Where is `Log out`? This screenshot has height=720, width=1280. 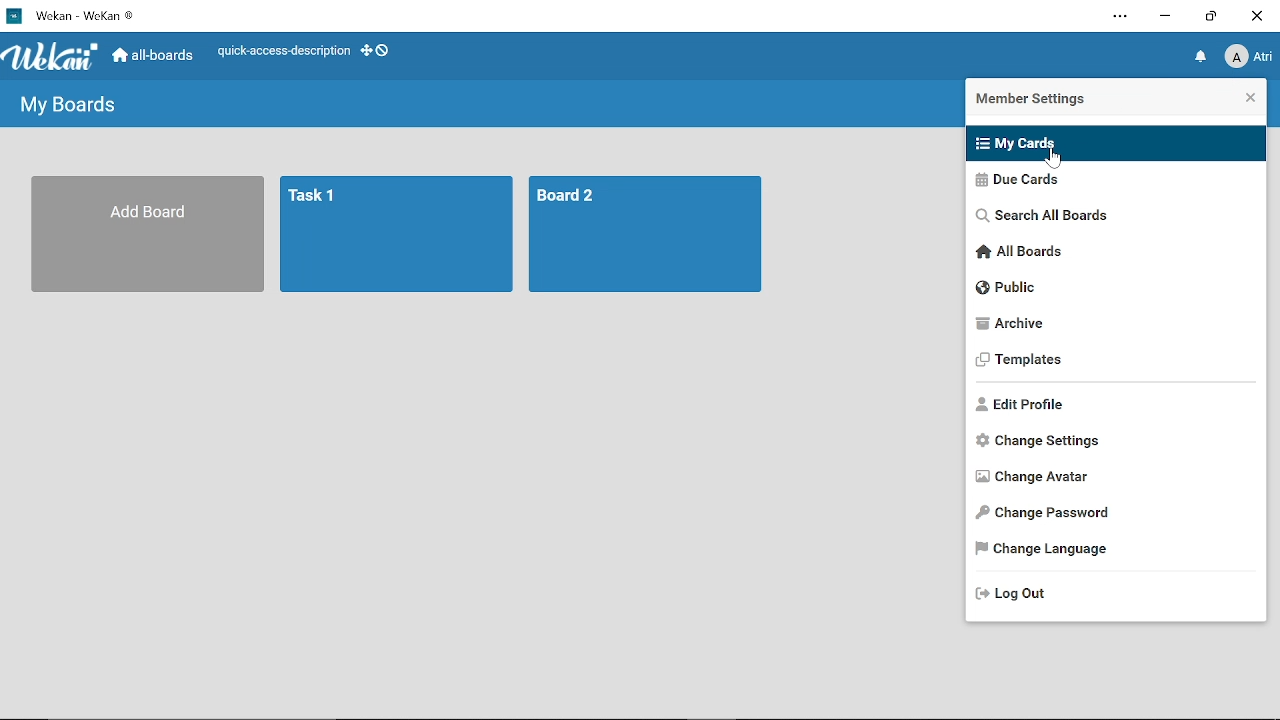 Log out is located at coordinates (1102, 593).